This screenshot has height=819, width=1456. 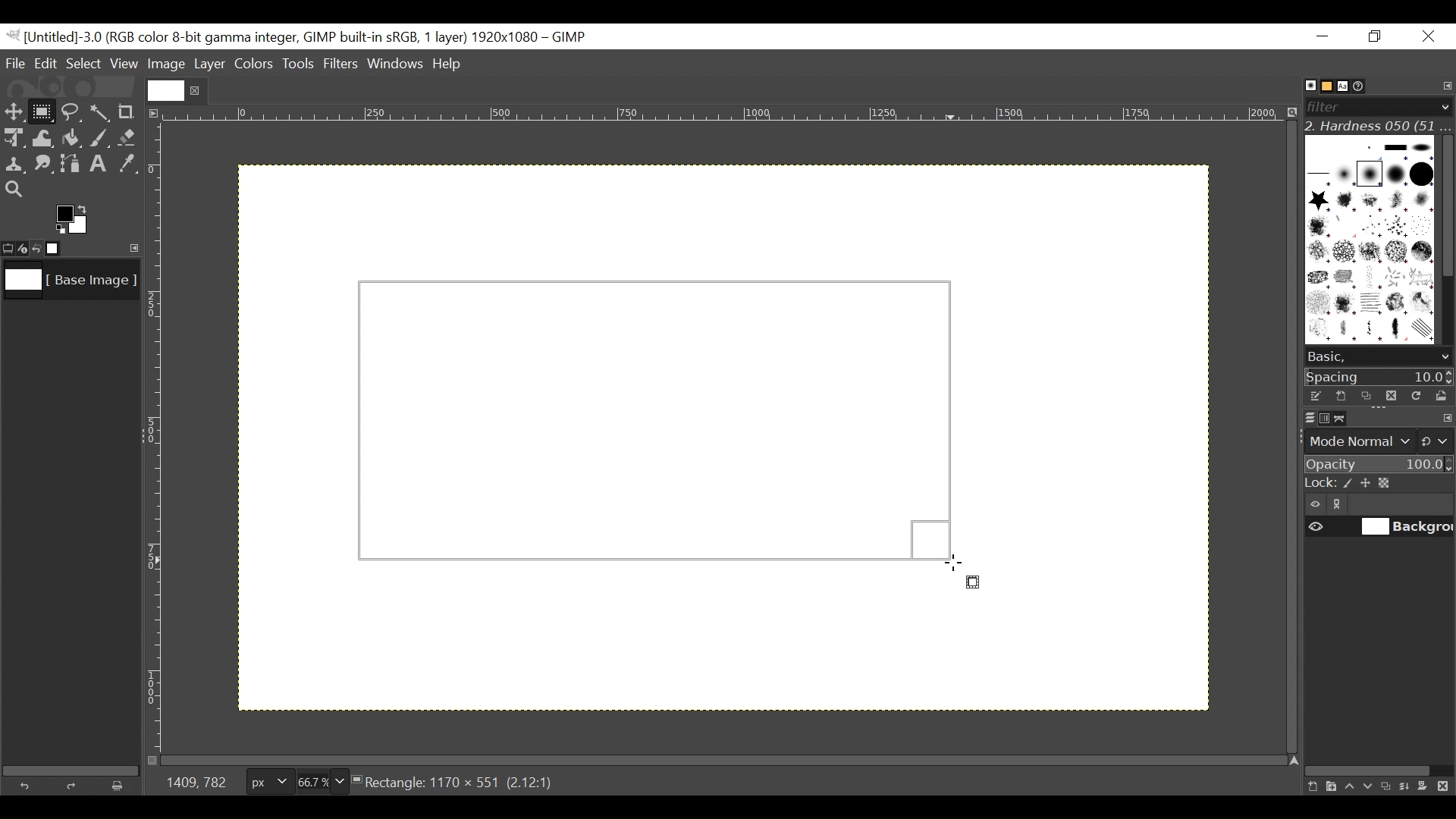 I want to click on Rectangle Select Tool, so click(x=42, y=111).